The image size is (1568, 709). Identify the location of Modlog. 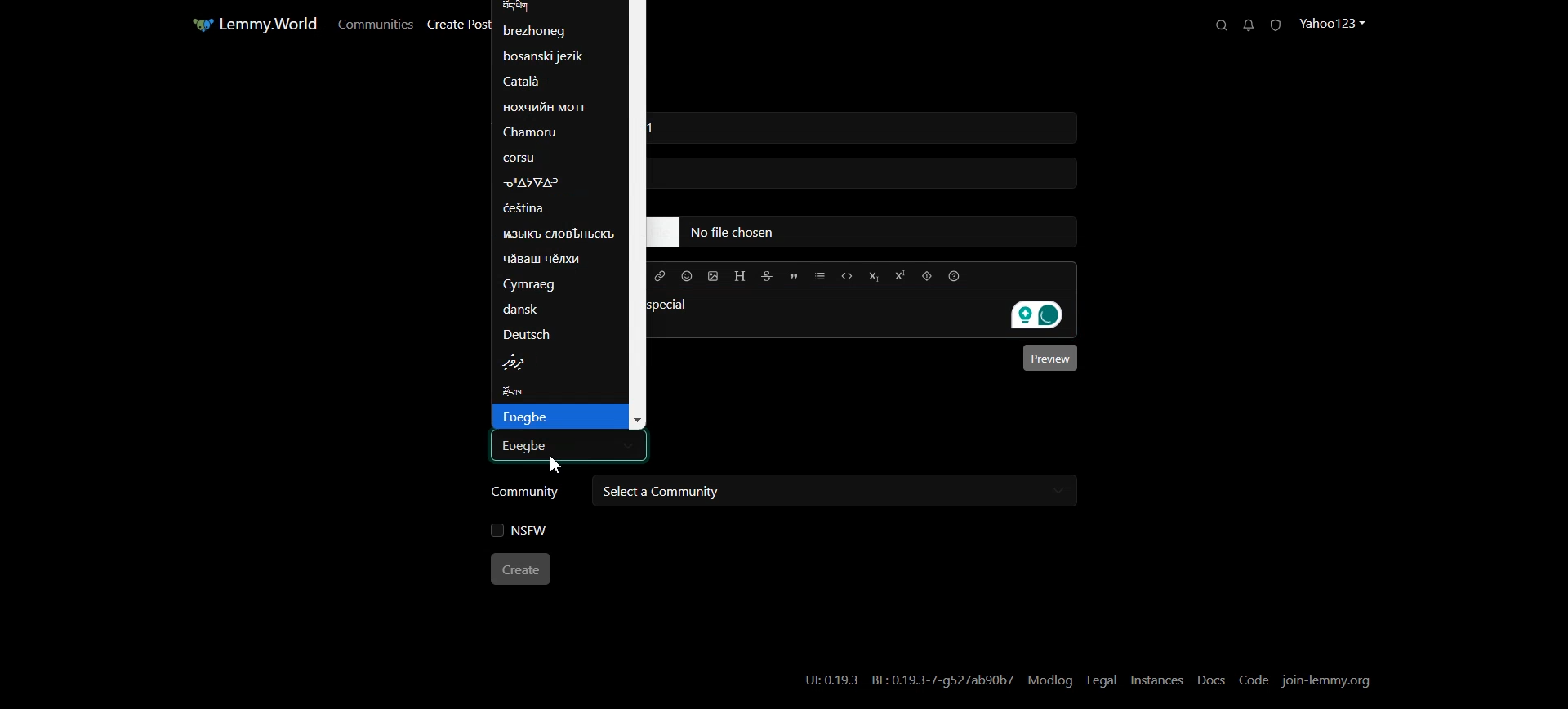
(1052, 680).